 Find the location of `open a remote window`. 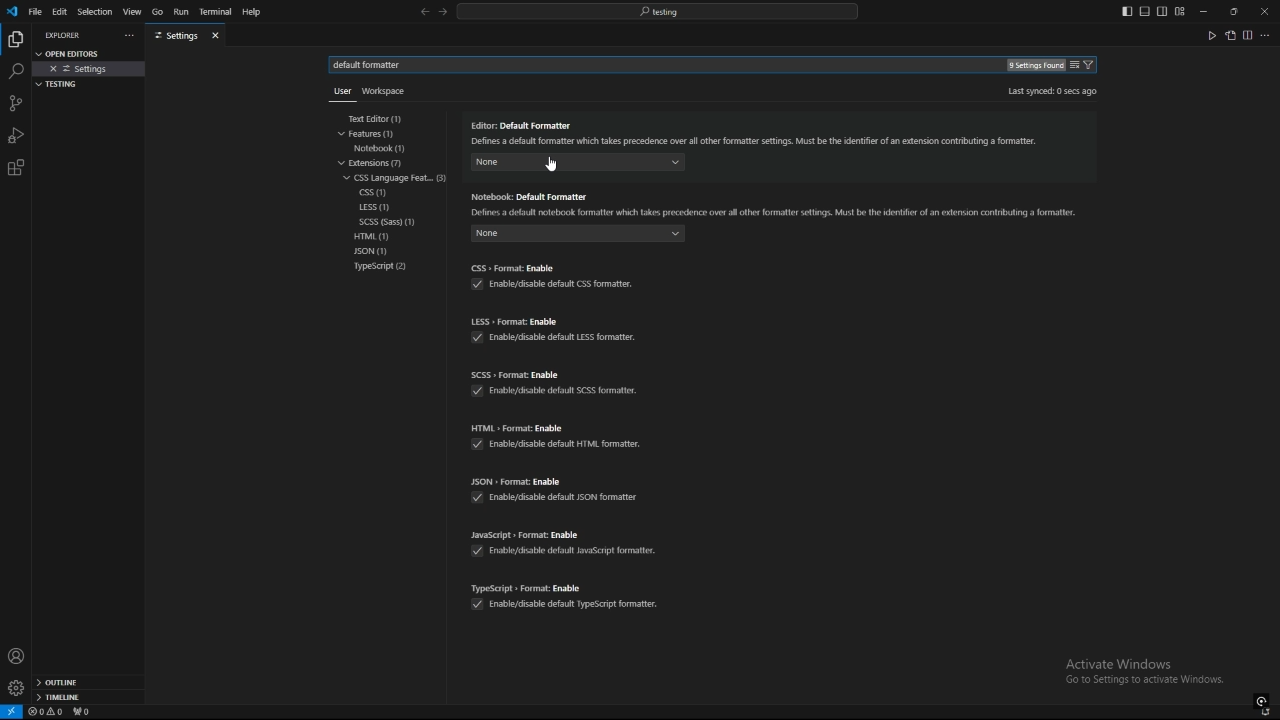

open a remote window is located at coordinates (12, 712).